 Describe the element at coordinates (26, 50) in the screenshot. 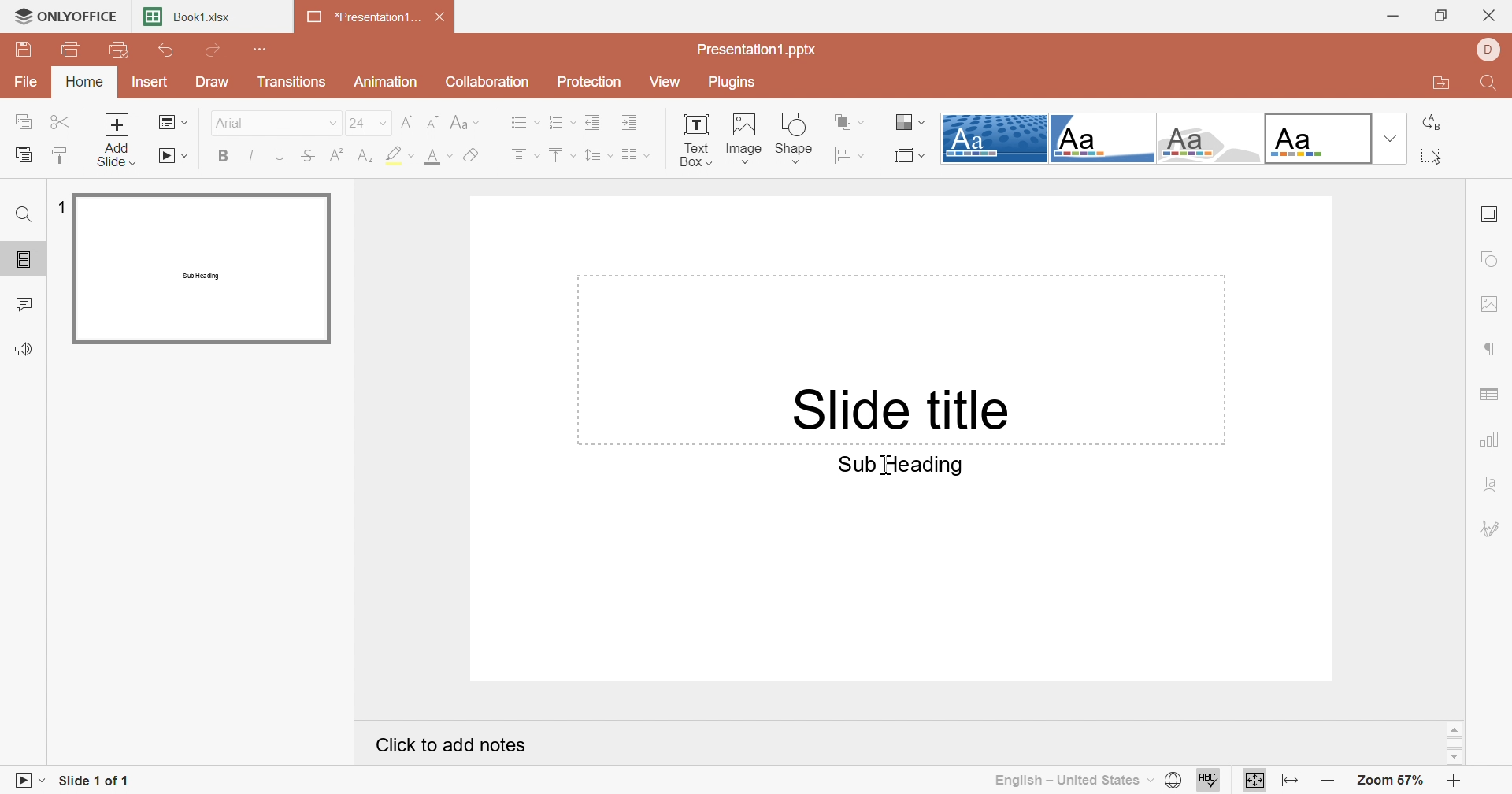

I see `Save` at that location.